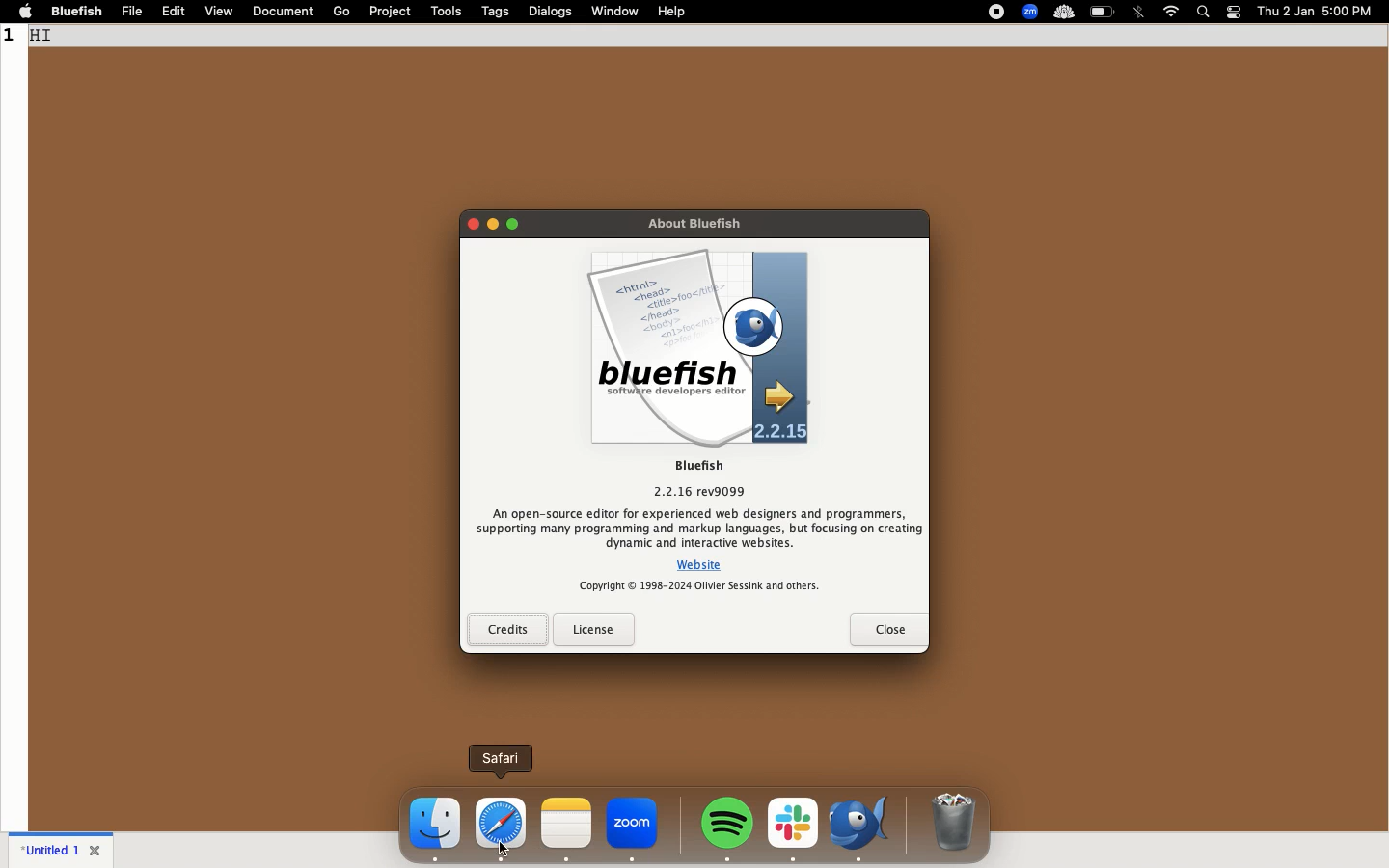 The image size is (1389, 868). Describe the element at coordinates (14, 46) in the screenshot. I see `line number` at that location.